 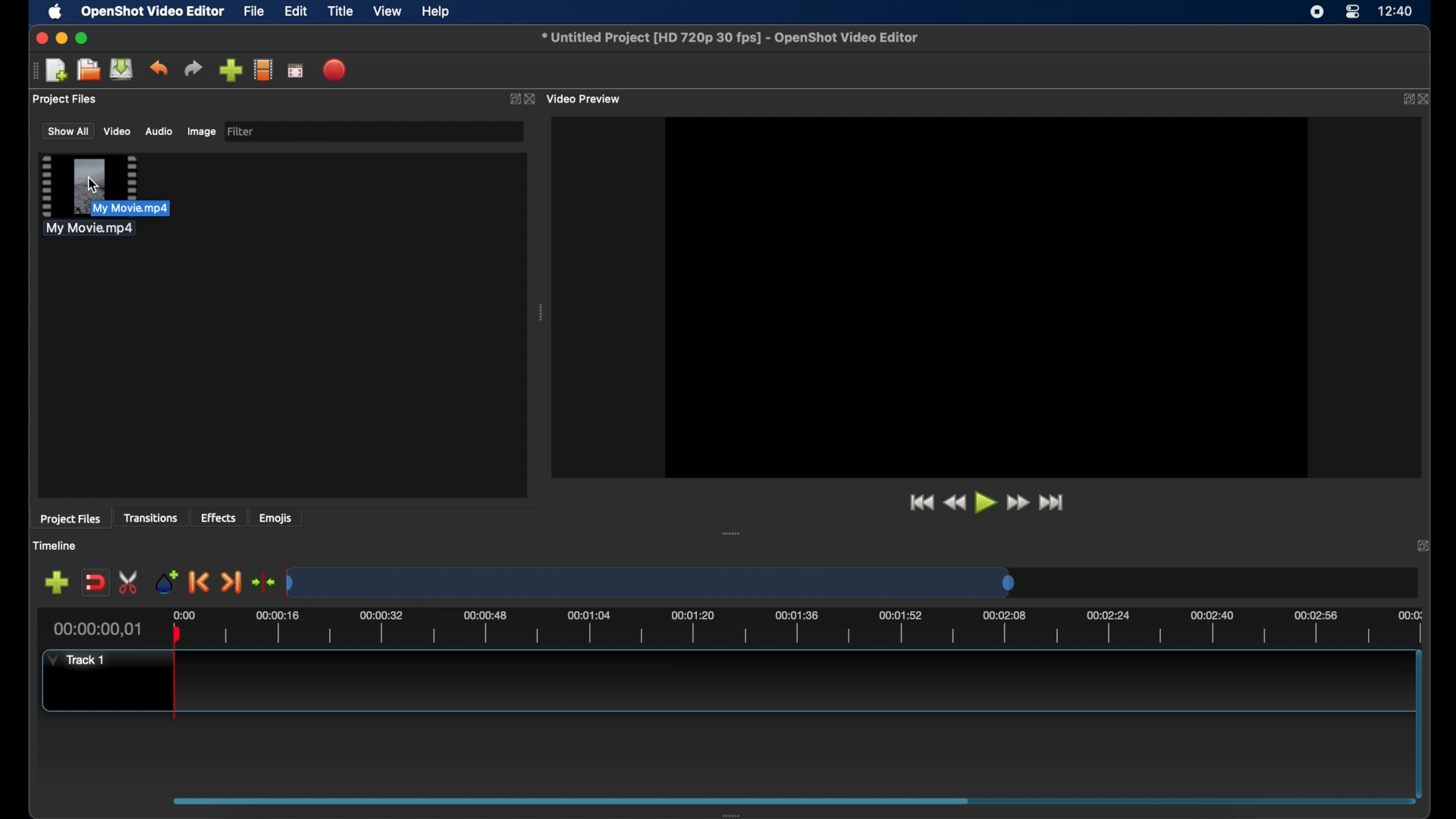 What do you see at coordinates (158, 132) in the screenshot?
I see `audio` at bounding box center [158, 132].